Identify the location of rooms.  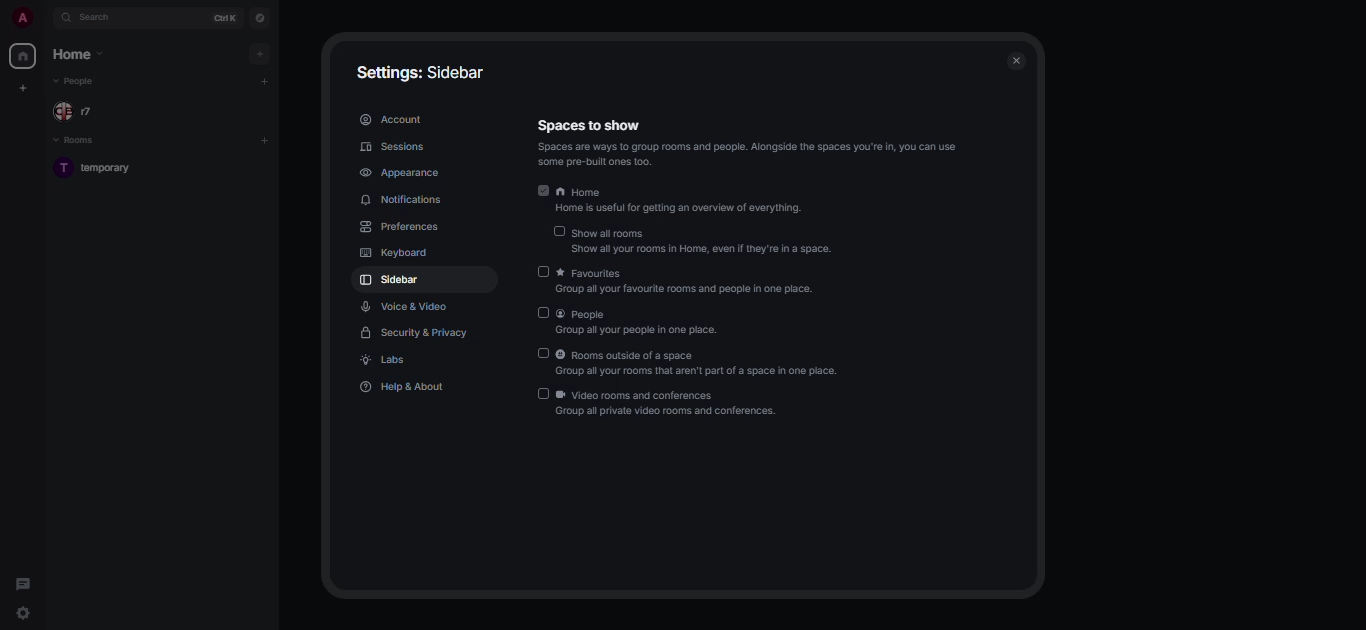
(89, 141).